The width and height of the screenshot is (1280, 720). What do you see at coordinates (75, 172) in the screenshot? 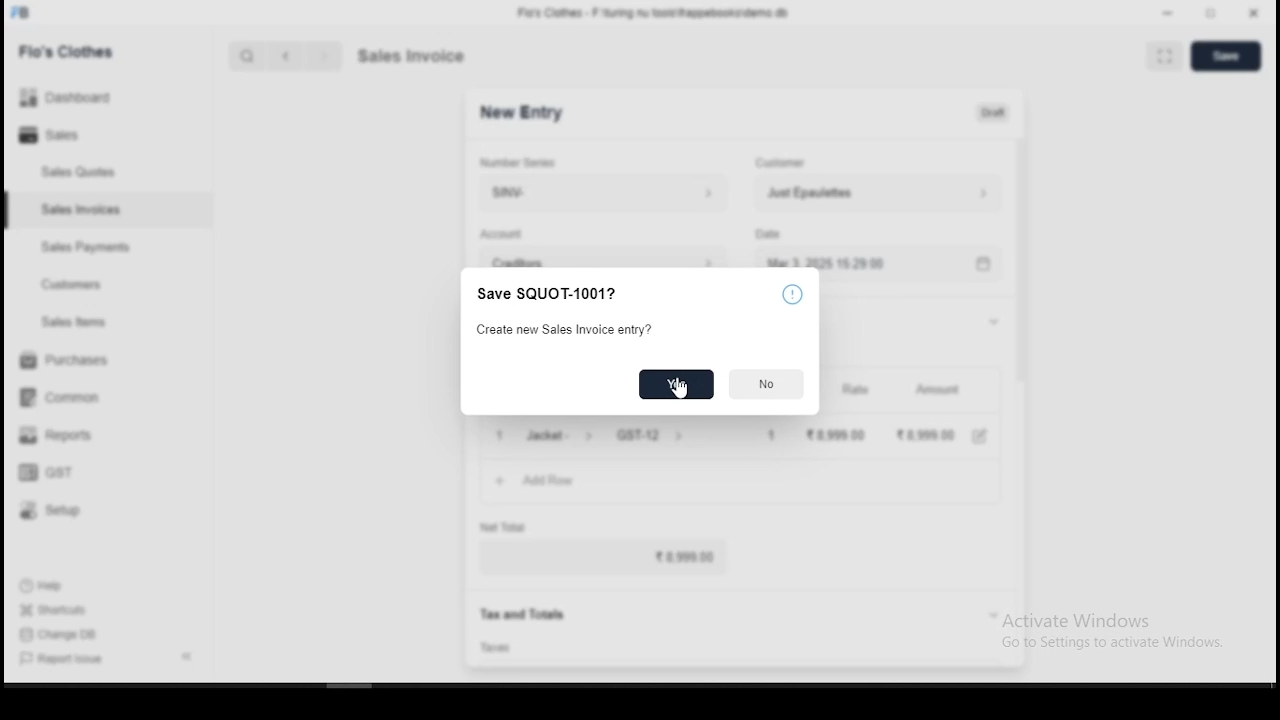
I see `sales` at bounding box center [75, 172].